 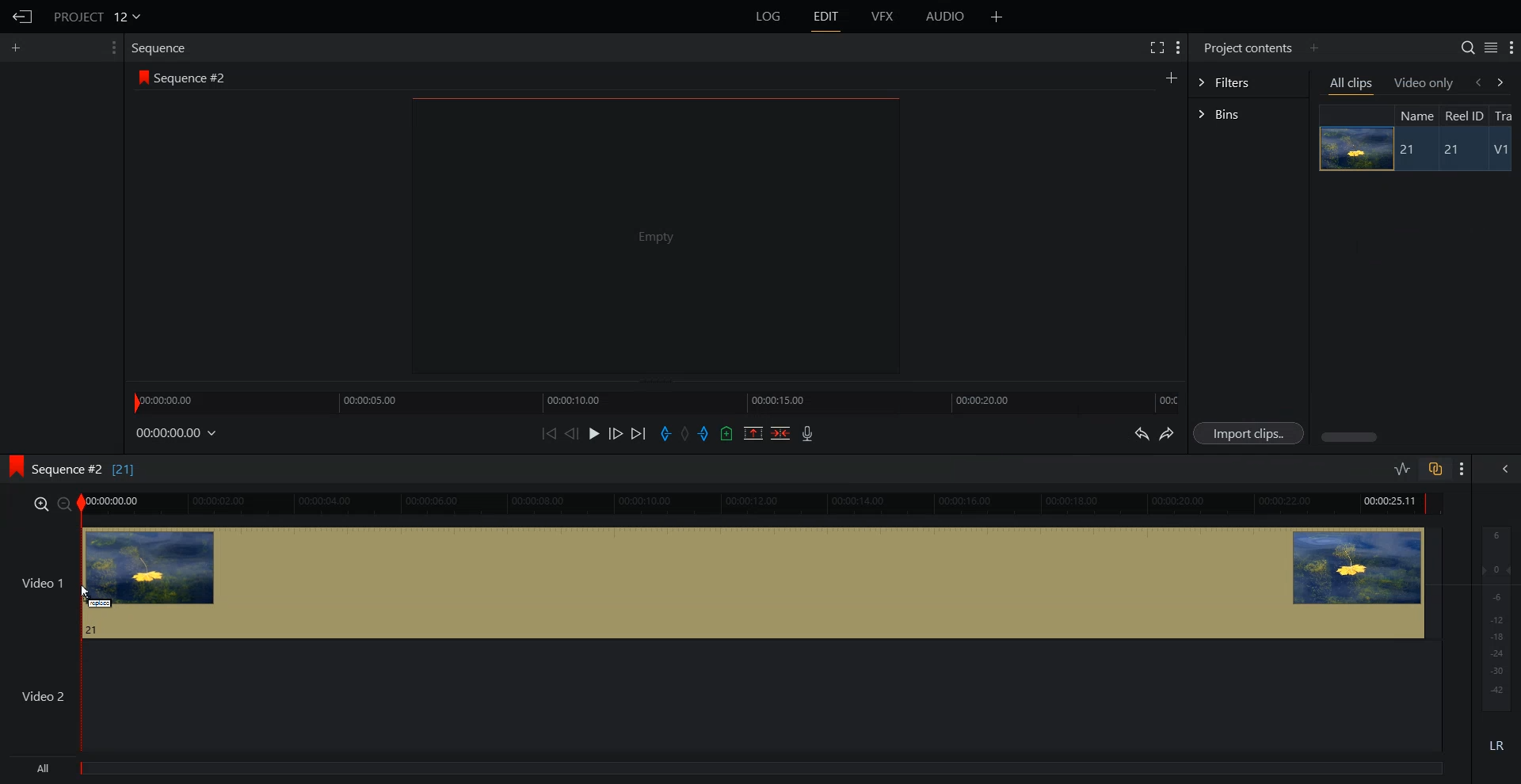 What do you see at coordinates (1248, 114) in the screenshot?
I see `Bins` at bounding box center [1248, 114].